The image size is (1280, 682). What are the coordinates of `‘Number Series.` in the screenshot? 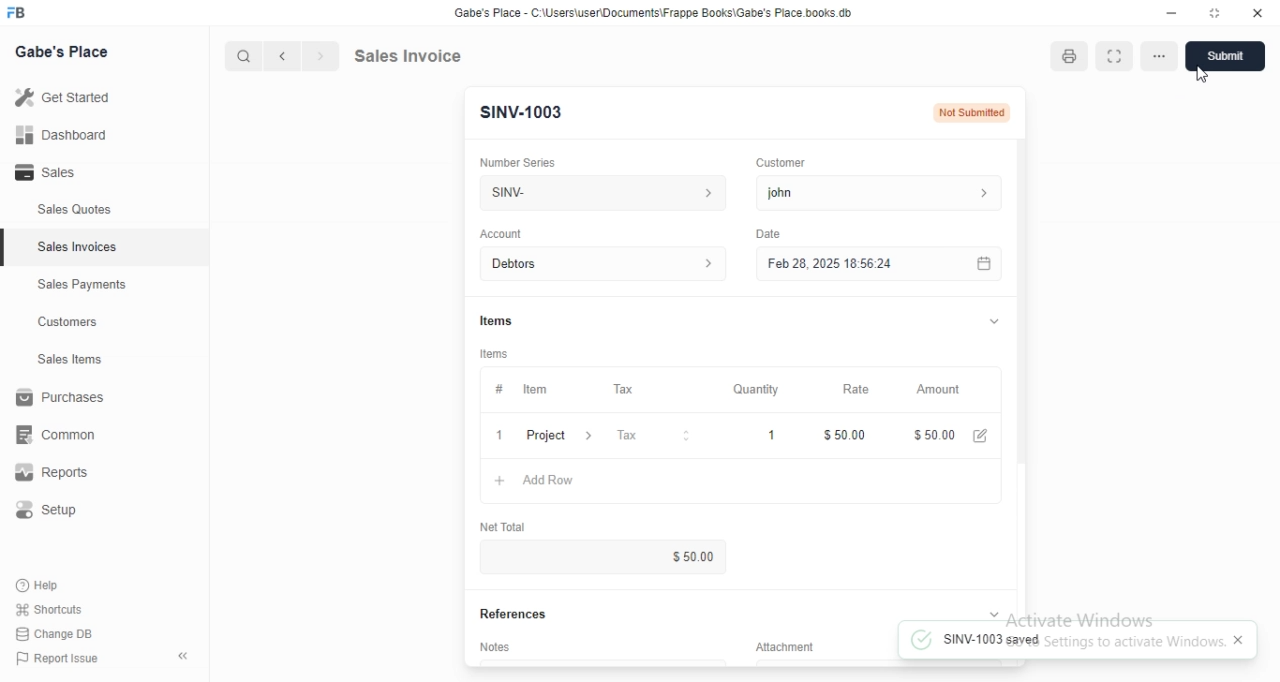 It's located at (520, 161).